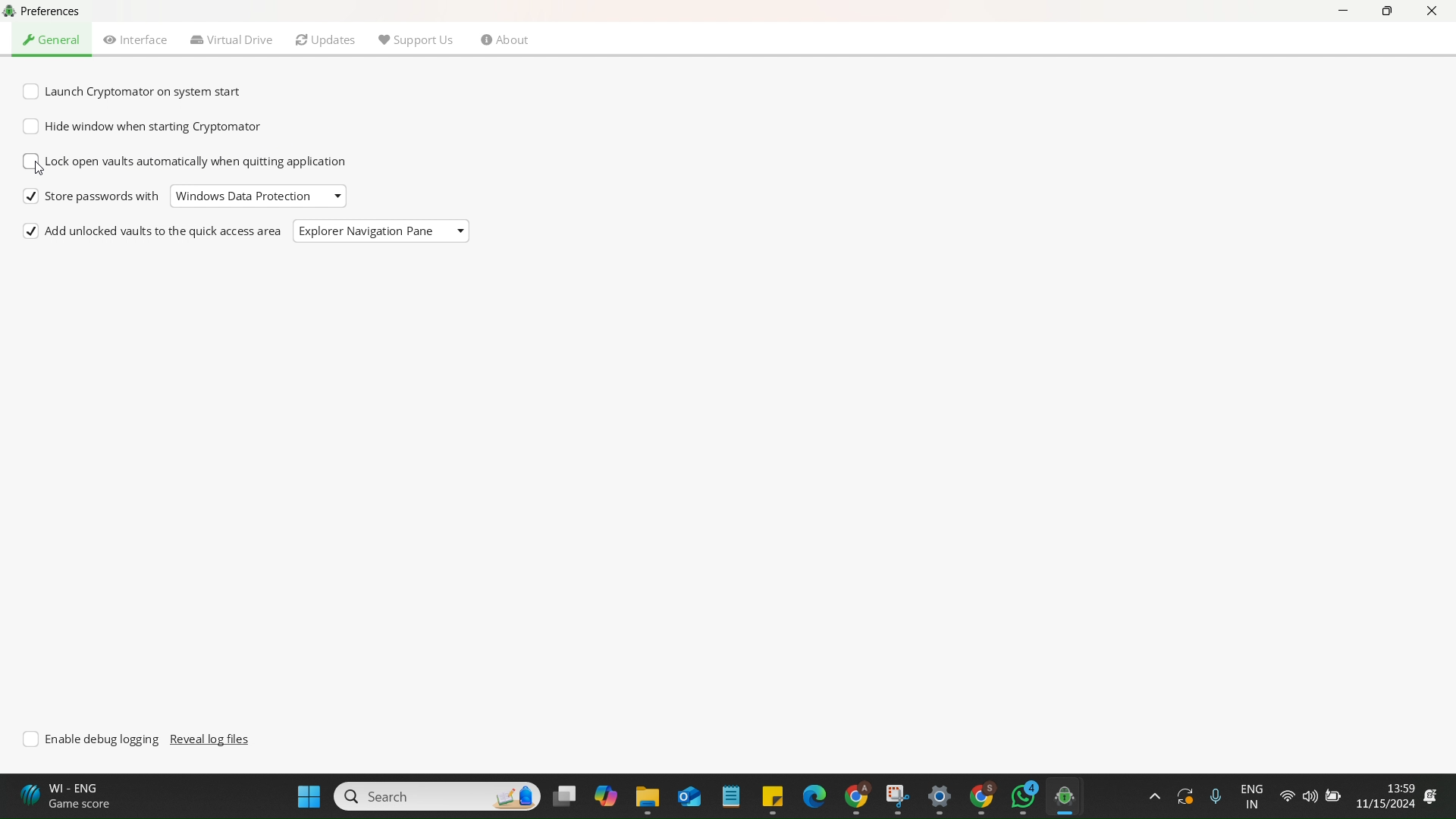 The image size is (1456, 819). Describe the element at coordinates (853, 796) in the screenshot. I see `Chrome` at that location.